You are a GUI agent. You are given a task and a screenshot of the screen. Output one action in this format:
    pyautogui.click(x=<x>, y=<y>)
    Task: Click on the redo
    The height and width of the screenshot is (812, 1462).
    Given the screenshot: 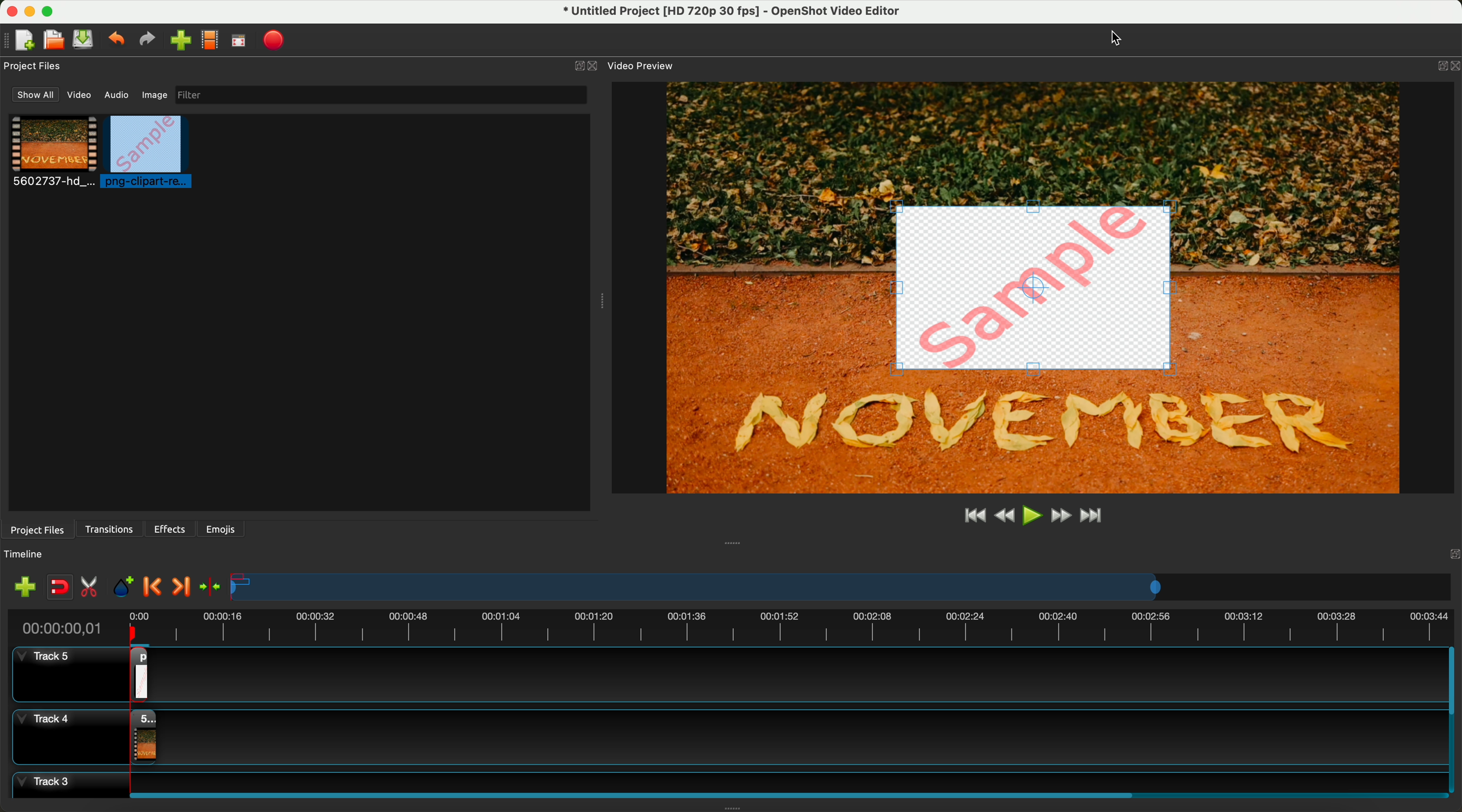 What is the action you would take?
    pyautogui.click(x=150, y=41)
    